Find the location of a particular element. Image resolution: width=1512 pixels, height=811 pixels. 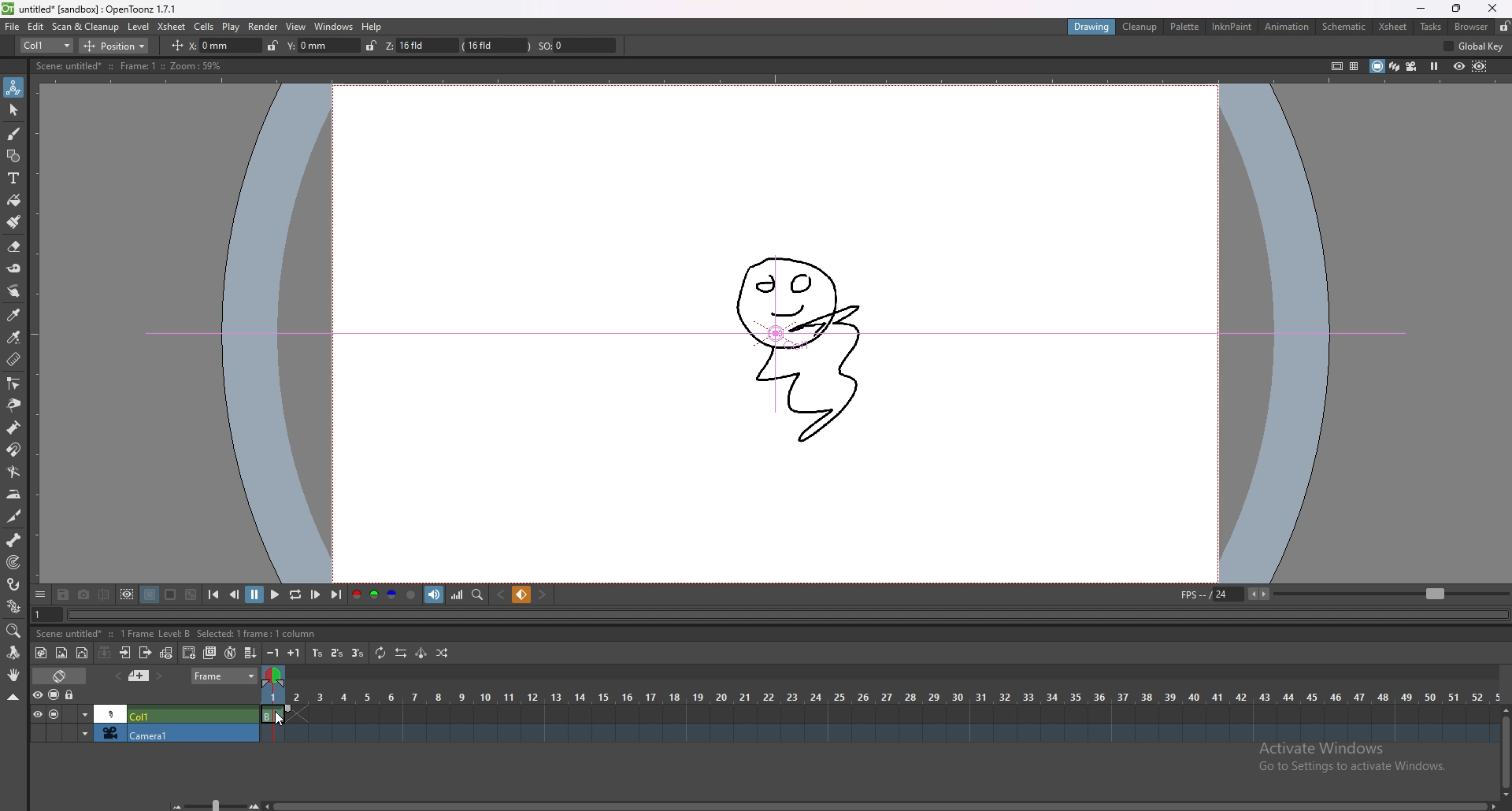

animation player is located at coordinates (790, 615).